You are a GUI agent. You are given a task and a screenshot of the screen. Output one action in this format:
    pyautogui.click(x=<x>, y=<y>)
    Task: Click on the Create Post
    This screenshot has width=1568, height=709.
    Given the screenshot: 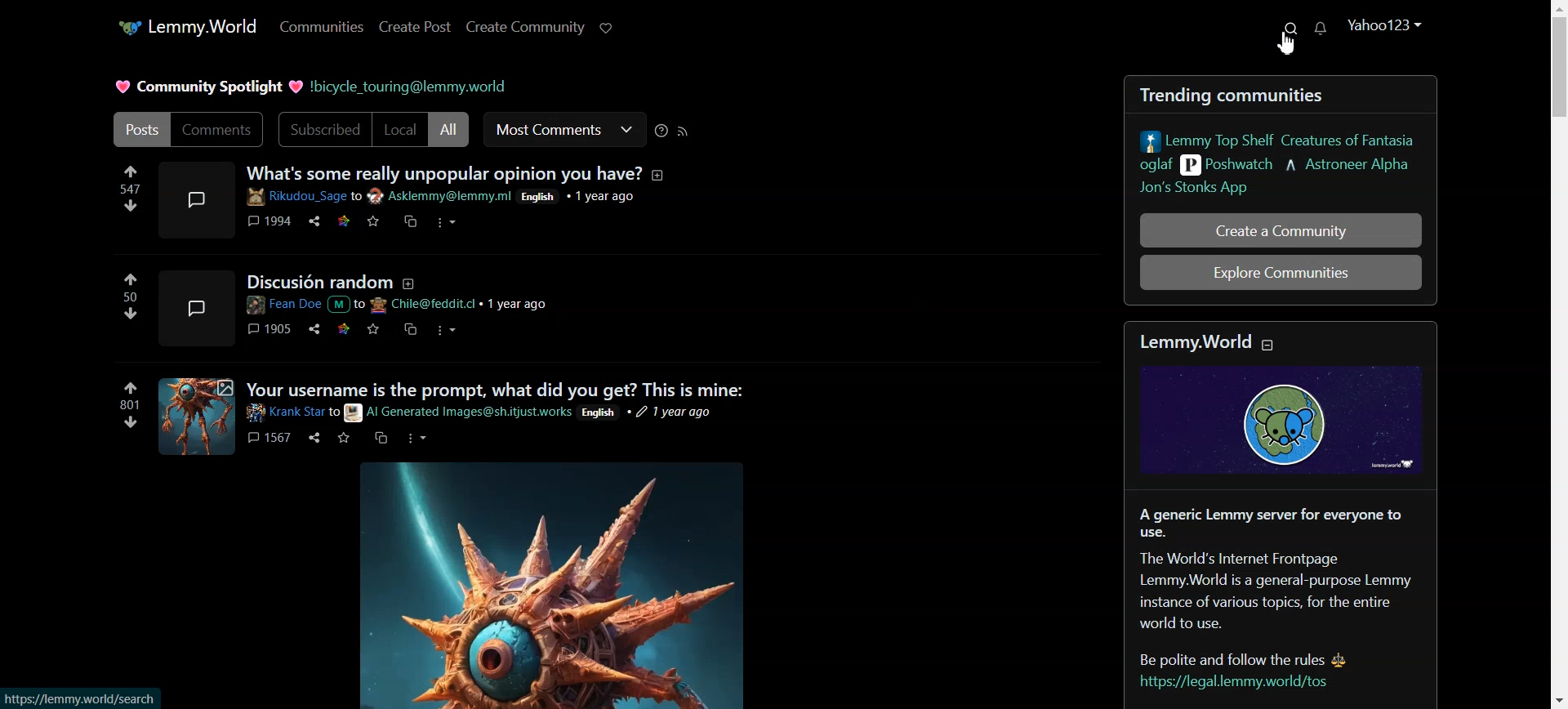 What is the action you would take?
    pyautogui.click(x=414, y=27)
    